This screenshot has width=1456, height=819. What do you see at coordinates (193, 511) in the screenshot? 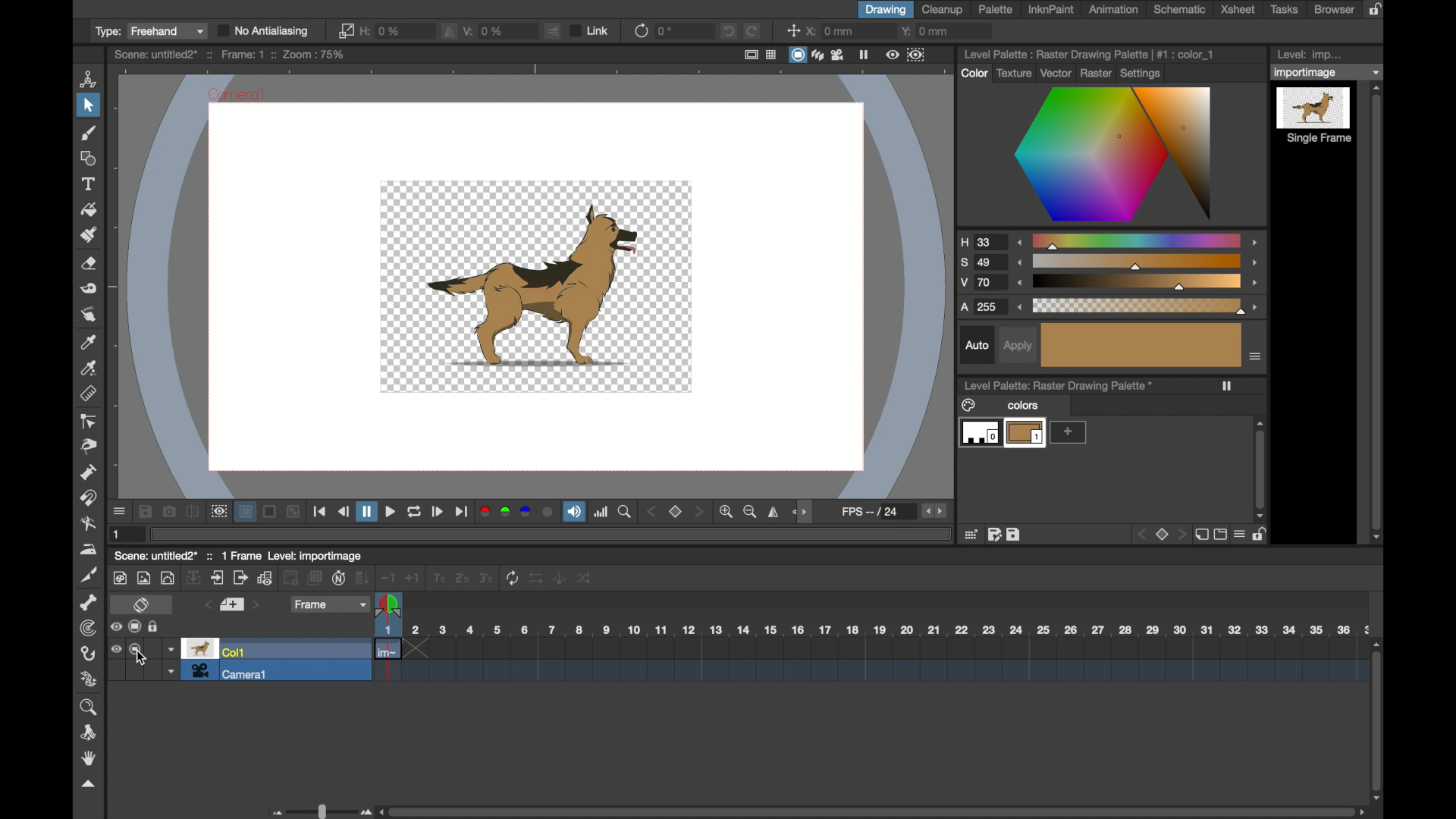
I see `compare to snapshot` at bounding box center [193, 511].